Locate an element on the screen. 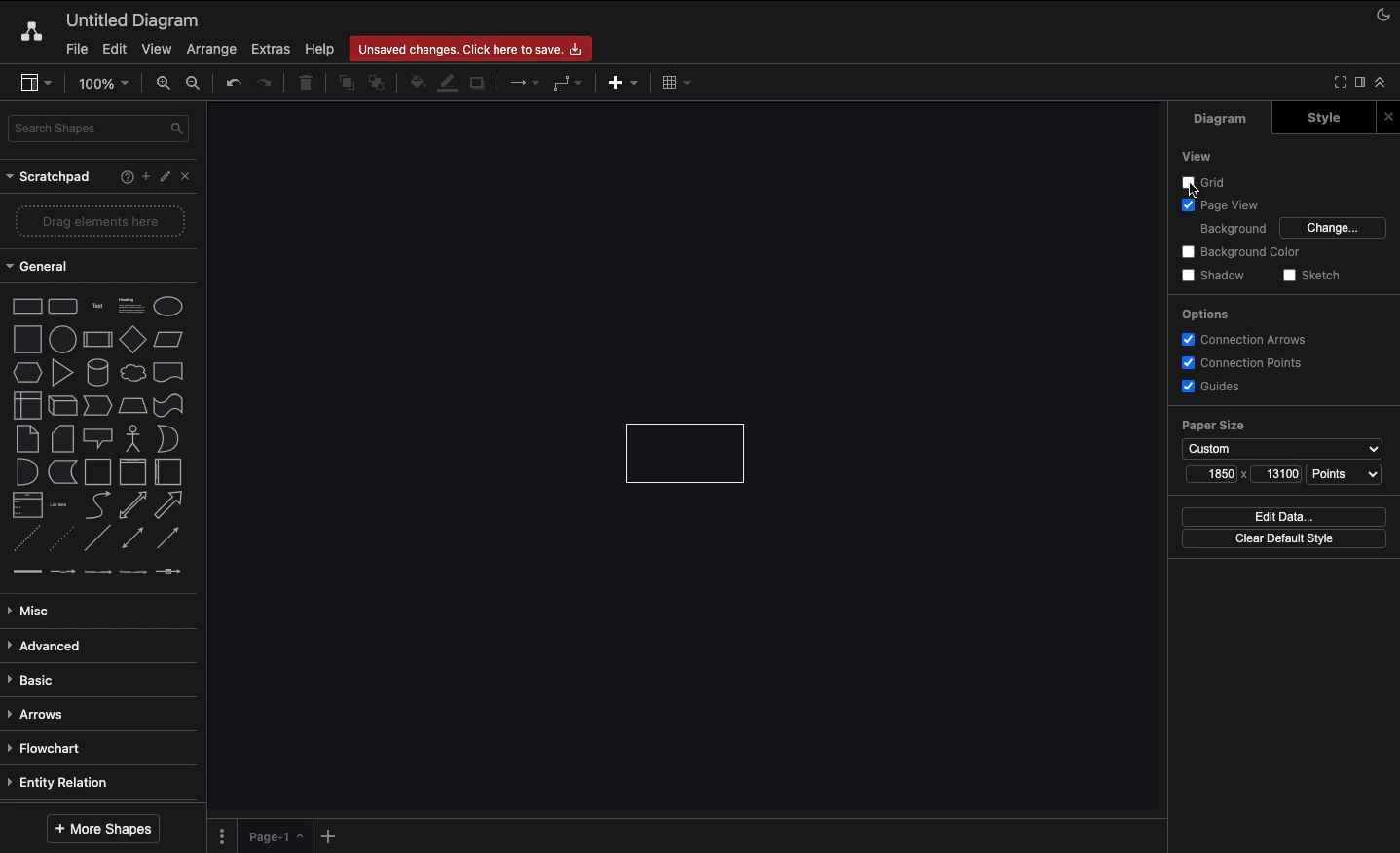  Zoom in is located at coordinates (164, 83).